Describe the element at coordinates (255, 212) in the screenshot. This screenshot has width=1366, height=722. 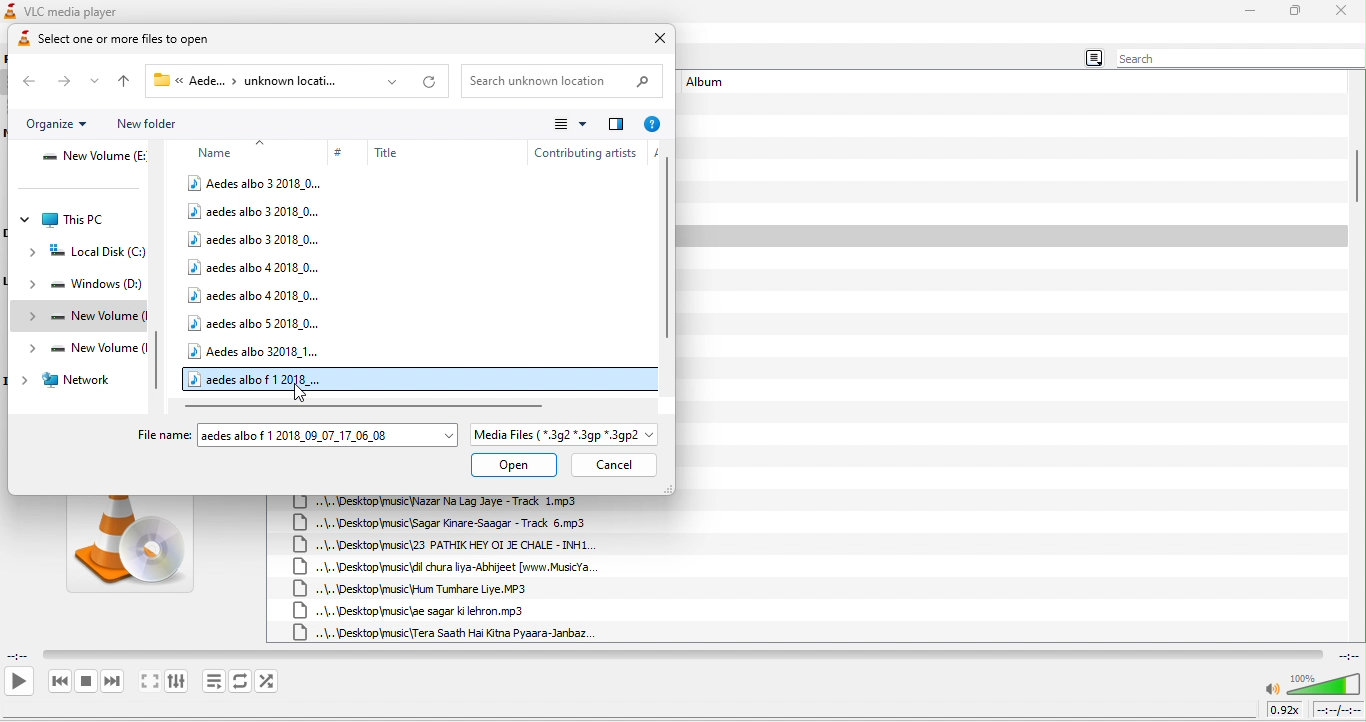
I see `aedes albo 3 2018_0...` at that location.